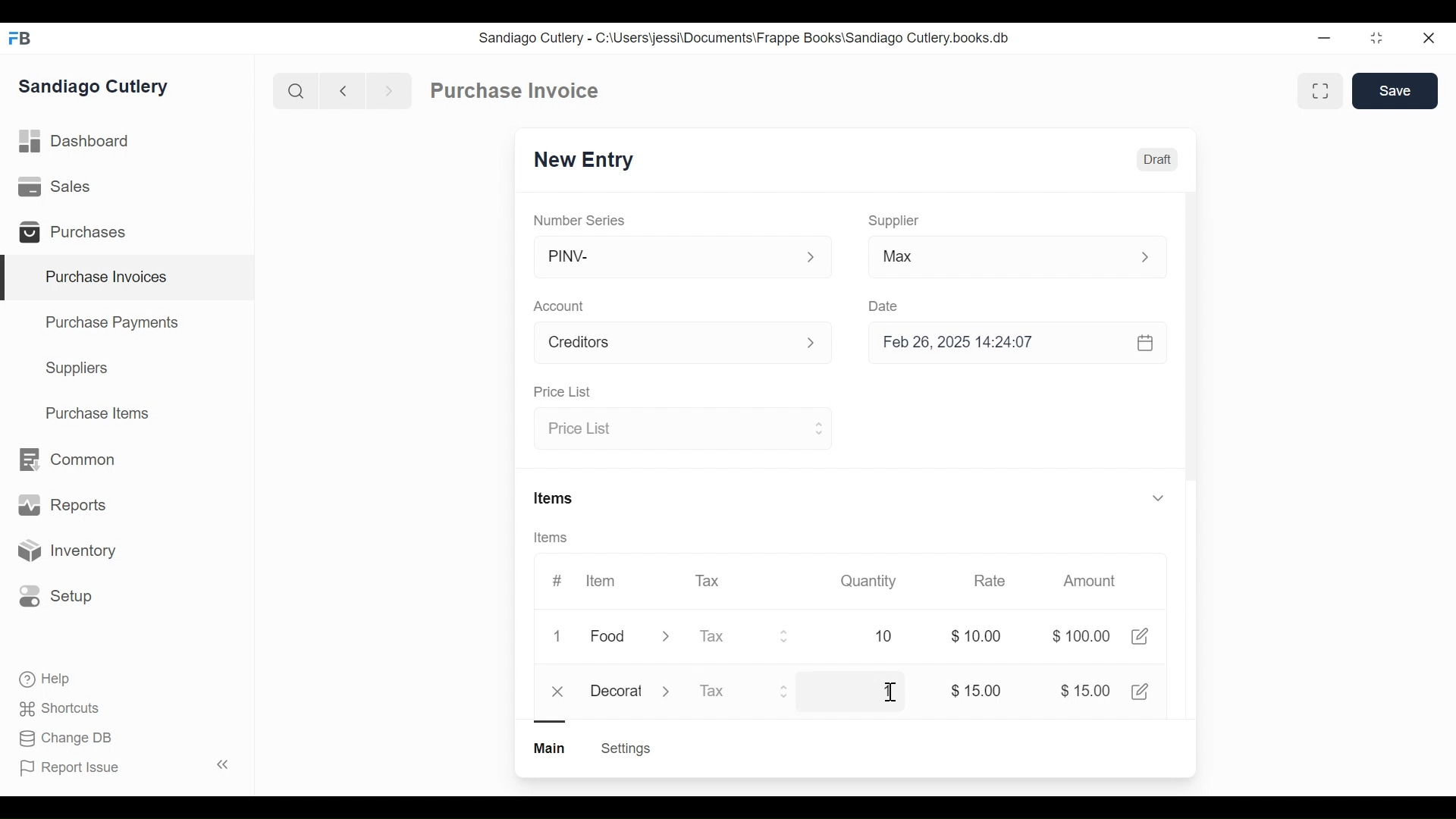 This screenshot has width=1456, height=819. I want to click on Settings, so click(625, 748).